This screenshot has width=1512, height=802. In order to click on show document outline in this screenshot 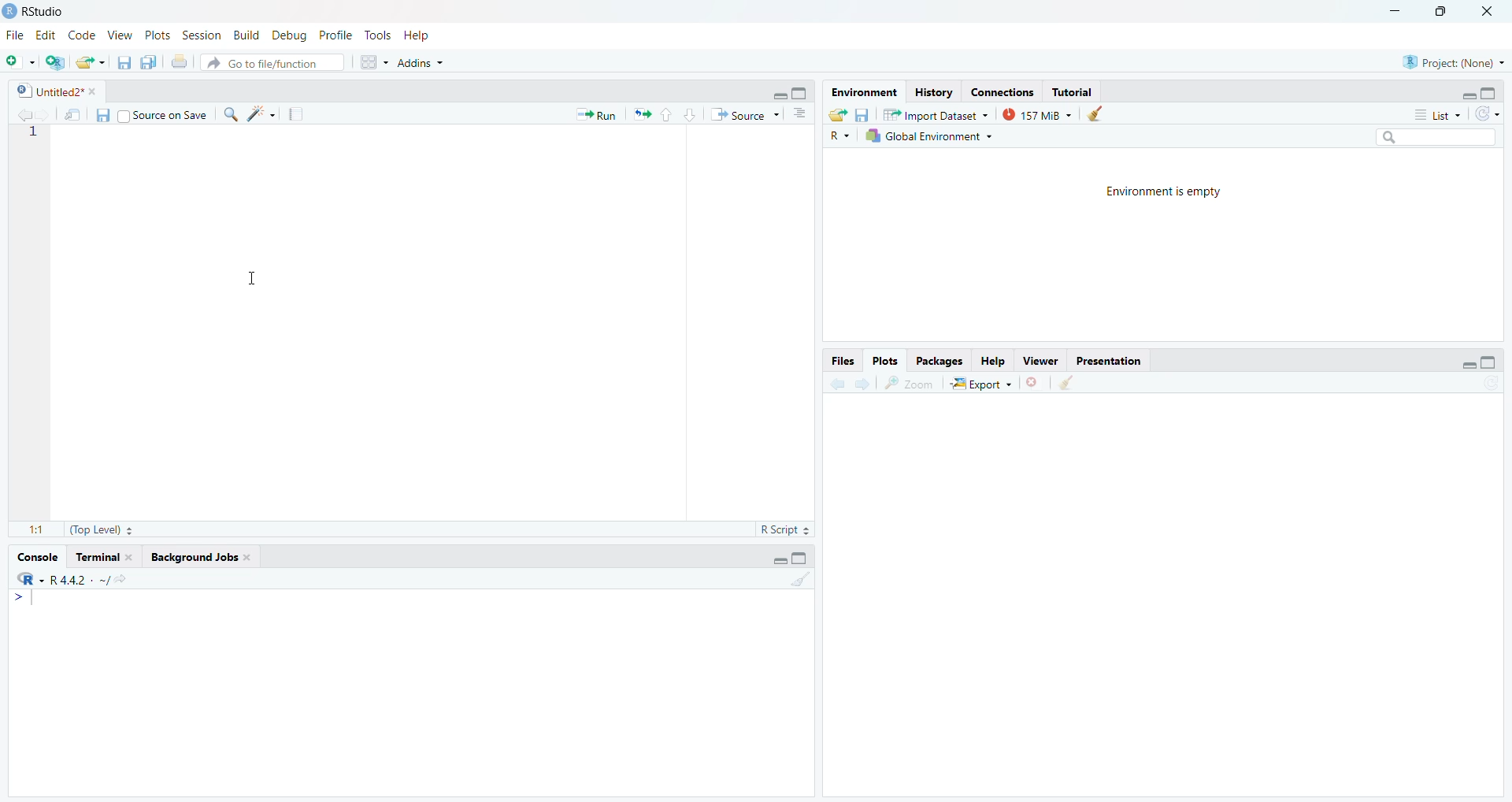, I will do `click(800, 114)`.